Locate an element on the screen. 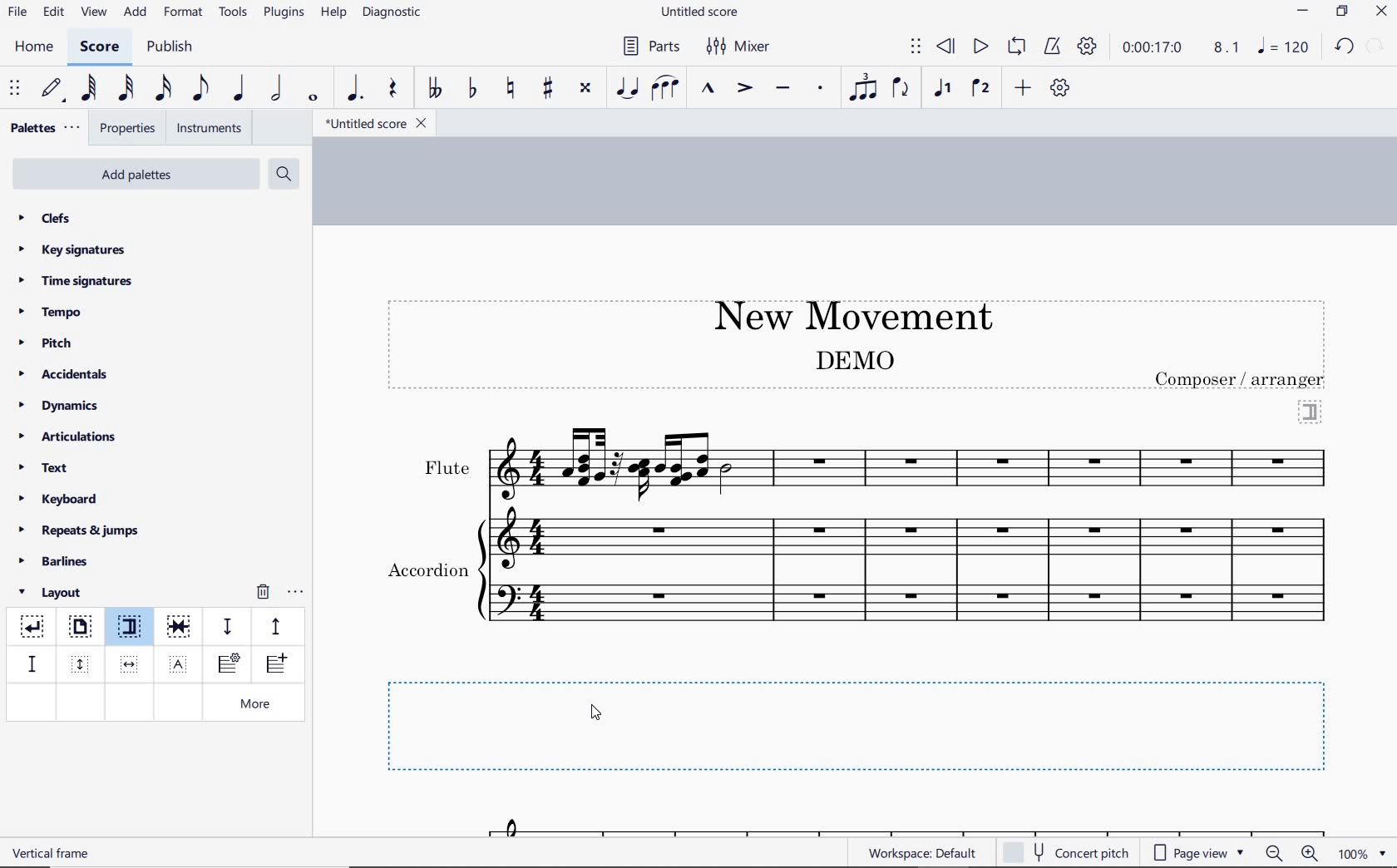  toggle natural is located at coordinates (512, 89).